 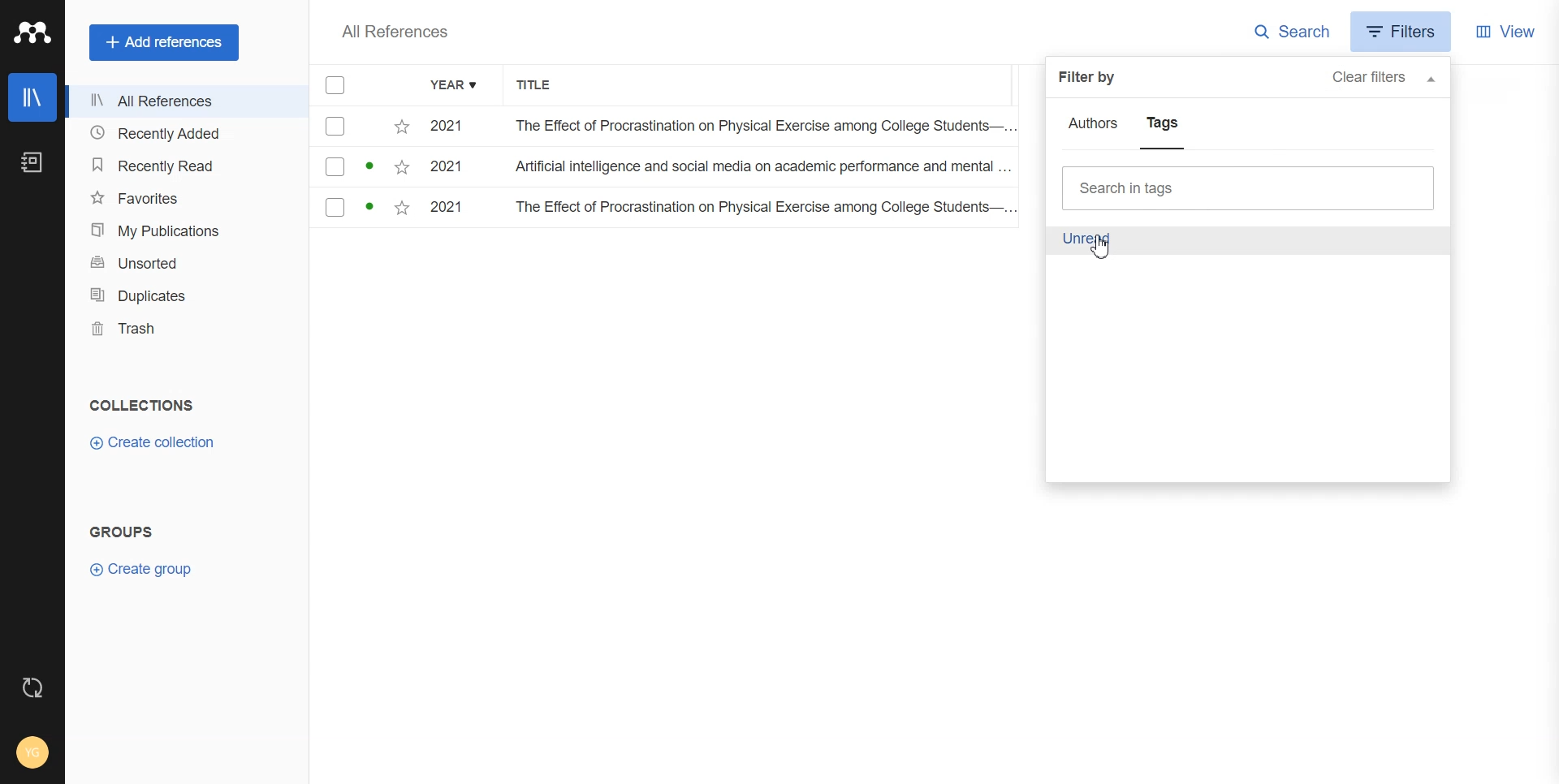 What do you see at coordinates (1388, 80) in the screenshot?
I see `Clear filters` at bounding box center [1388, 80].